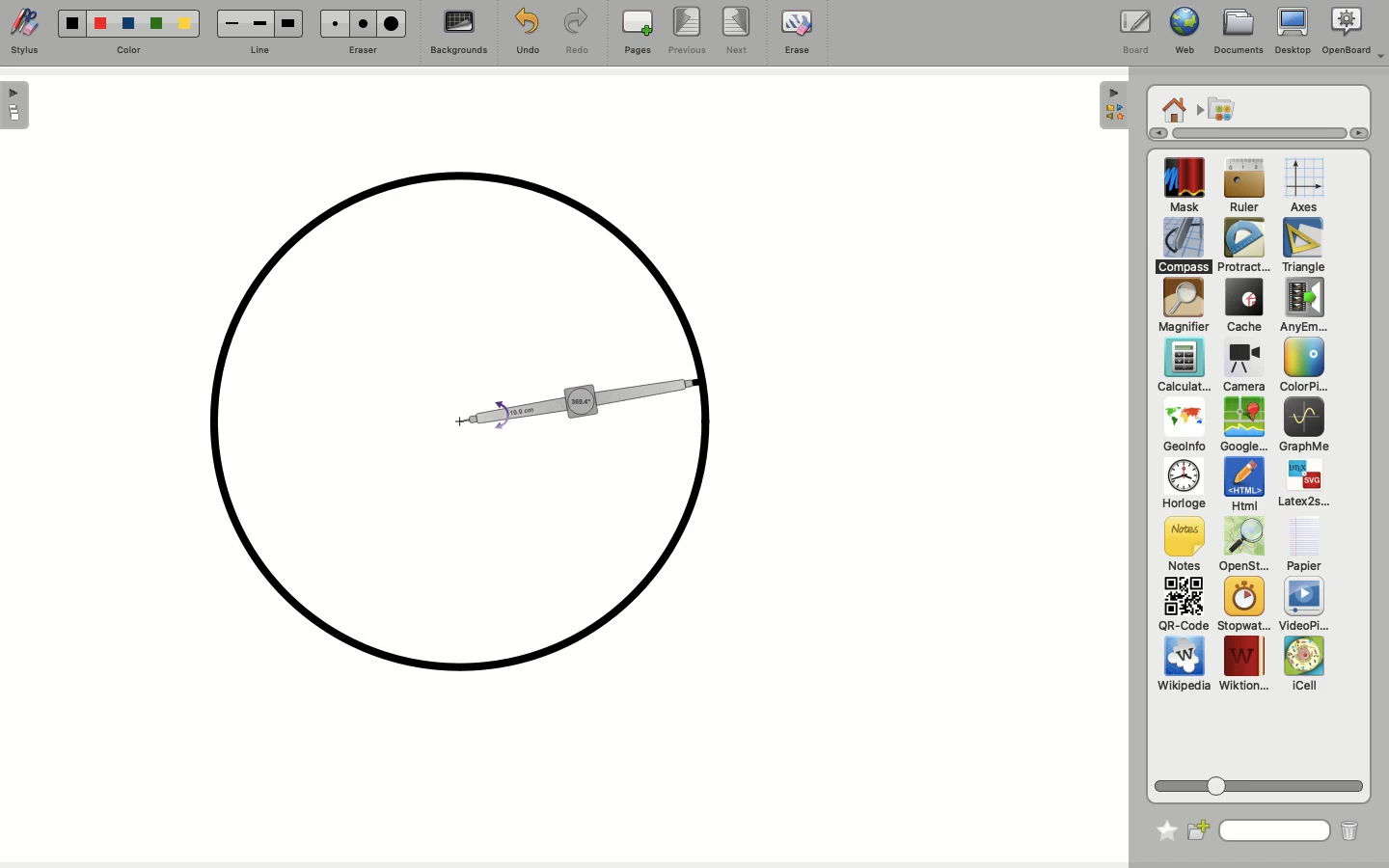 This screenshot has width=1389, height=868. I want to click on line1, so click(231, 22).